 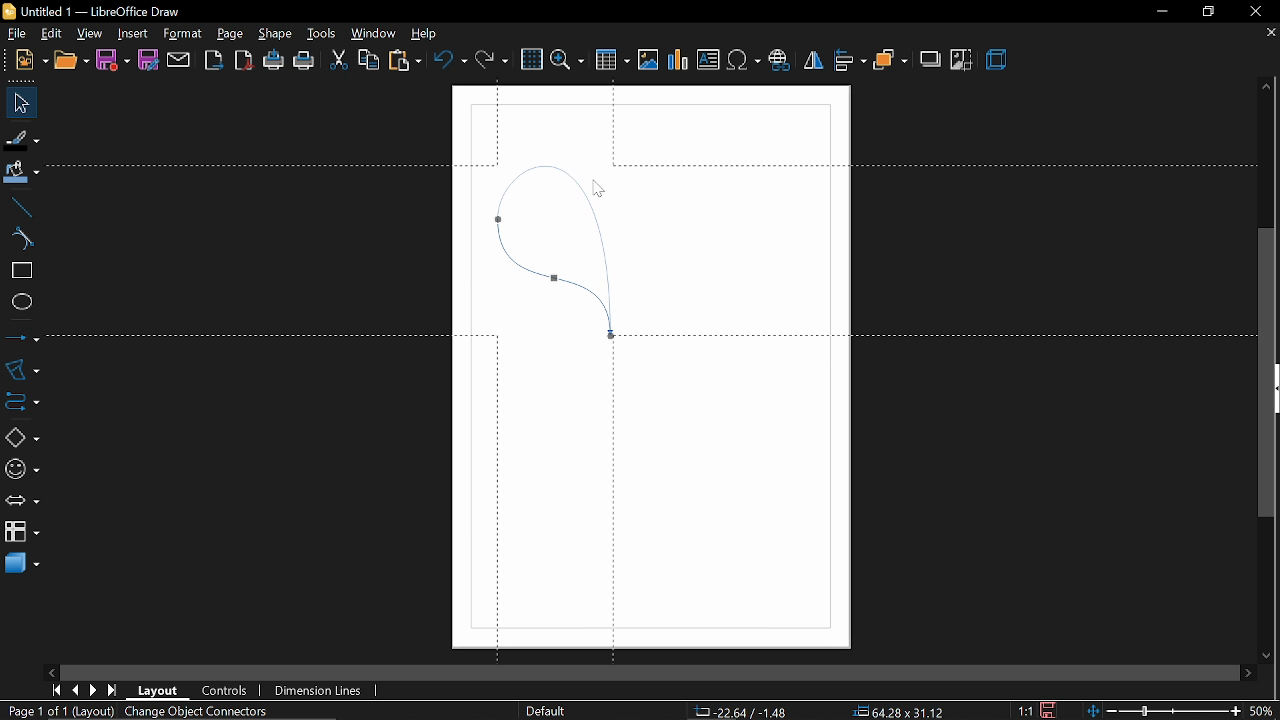 What do you see at coordinates (679, 60) in the screenshot?
I see `Insert chart` at bounding box center [679, 60].